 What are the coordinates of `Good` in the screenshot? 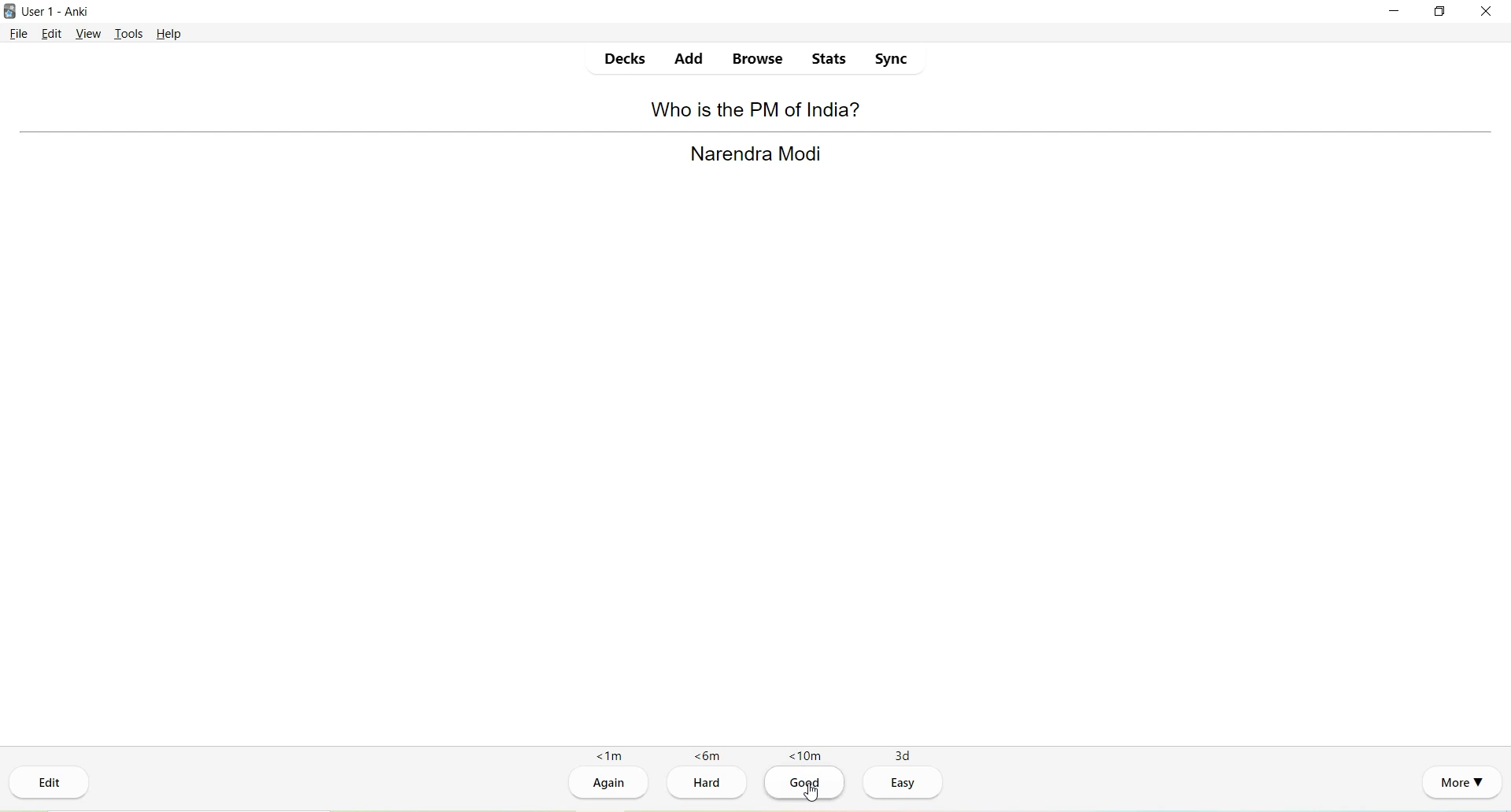 It's located at (805, 785).